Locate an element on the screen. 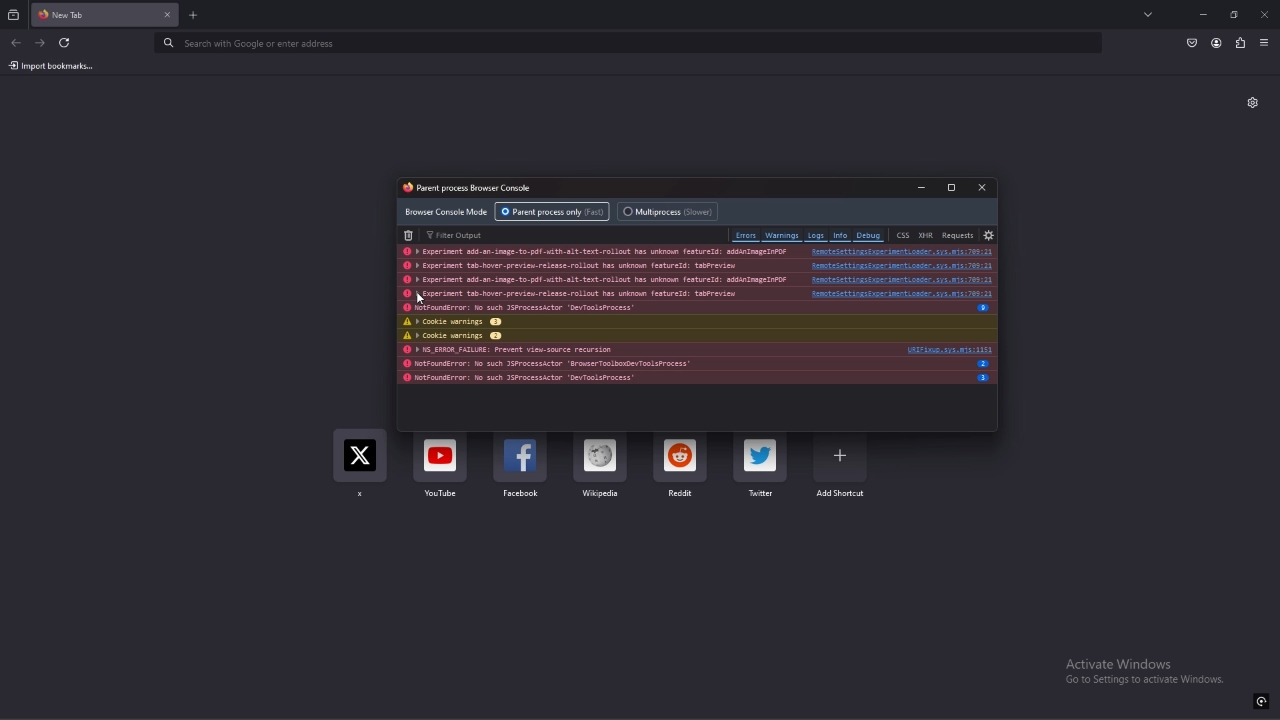 This screenshot has height=720, width=1280. twitter is located at coordinates (759, 465).